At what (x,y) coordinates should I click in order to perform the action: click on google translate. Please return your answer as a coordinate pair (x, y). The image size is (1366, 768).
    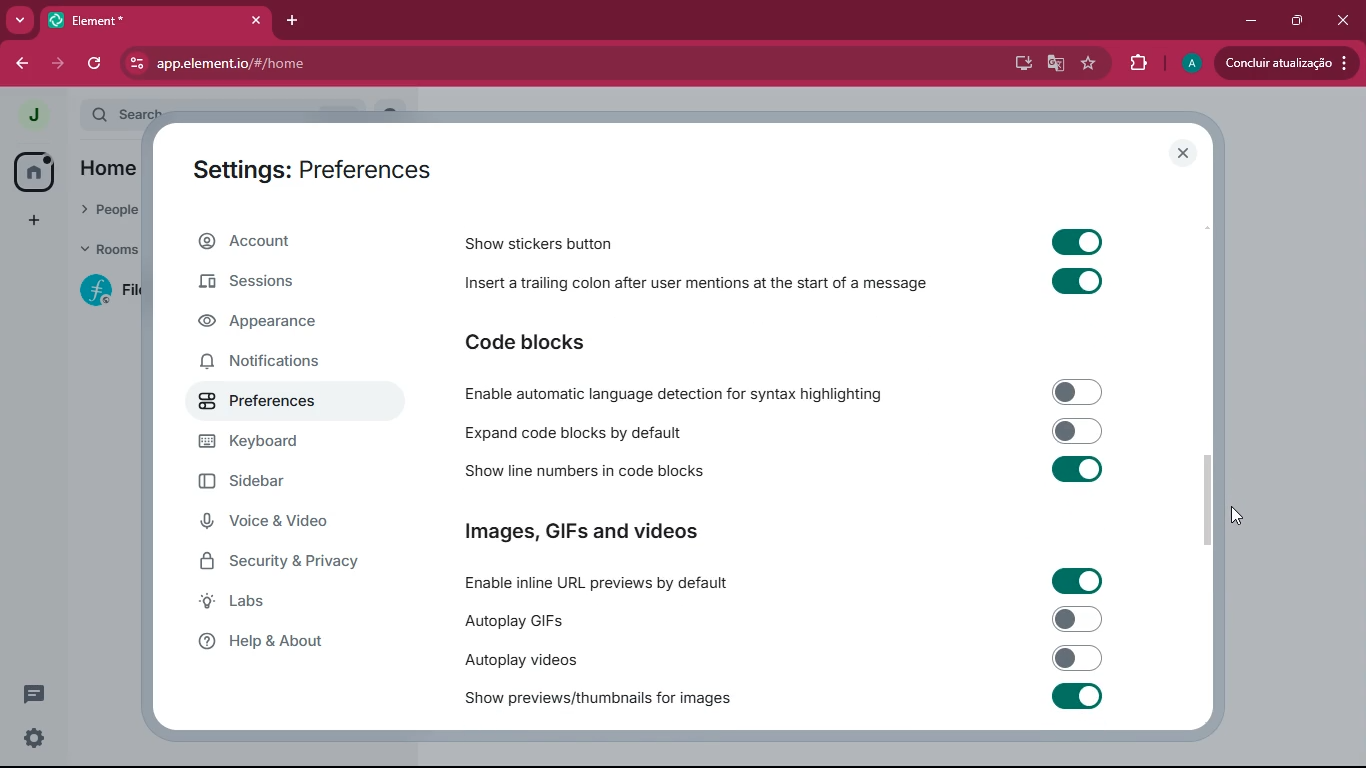
    Looking at the image, I should click on (1052, 66).